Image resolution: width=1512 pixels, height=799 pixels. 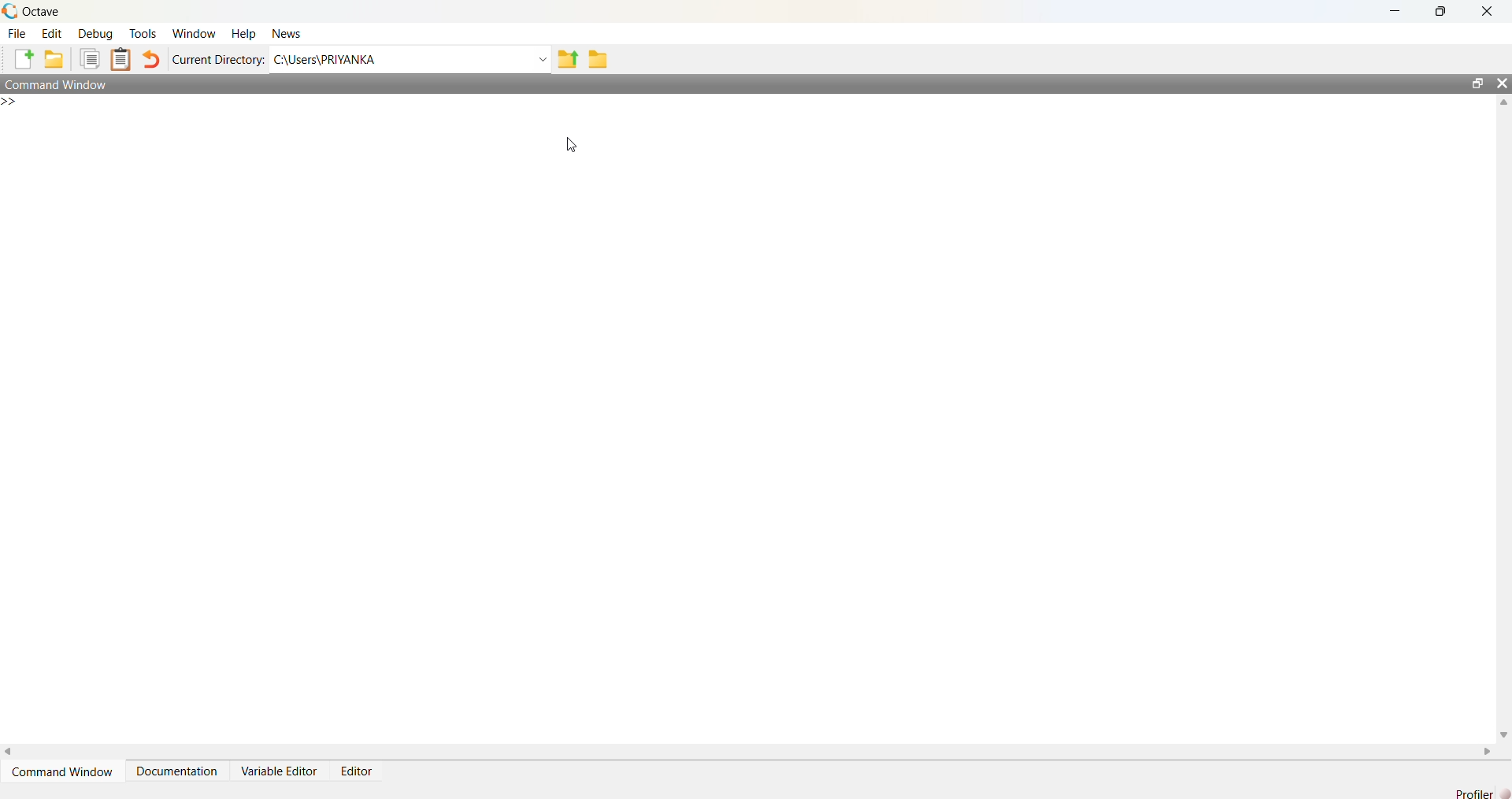 What do you see at coordinates (569, 58) in the screenshot?
I see `one directory up` at bounding box center [569, 58].